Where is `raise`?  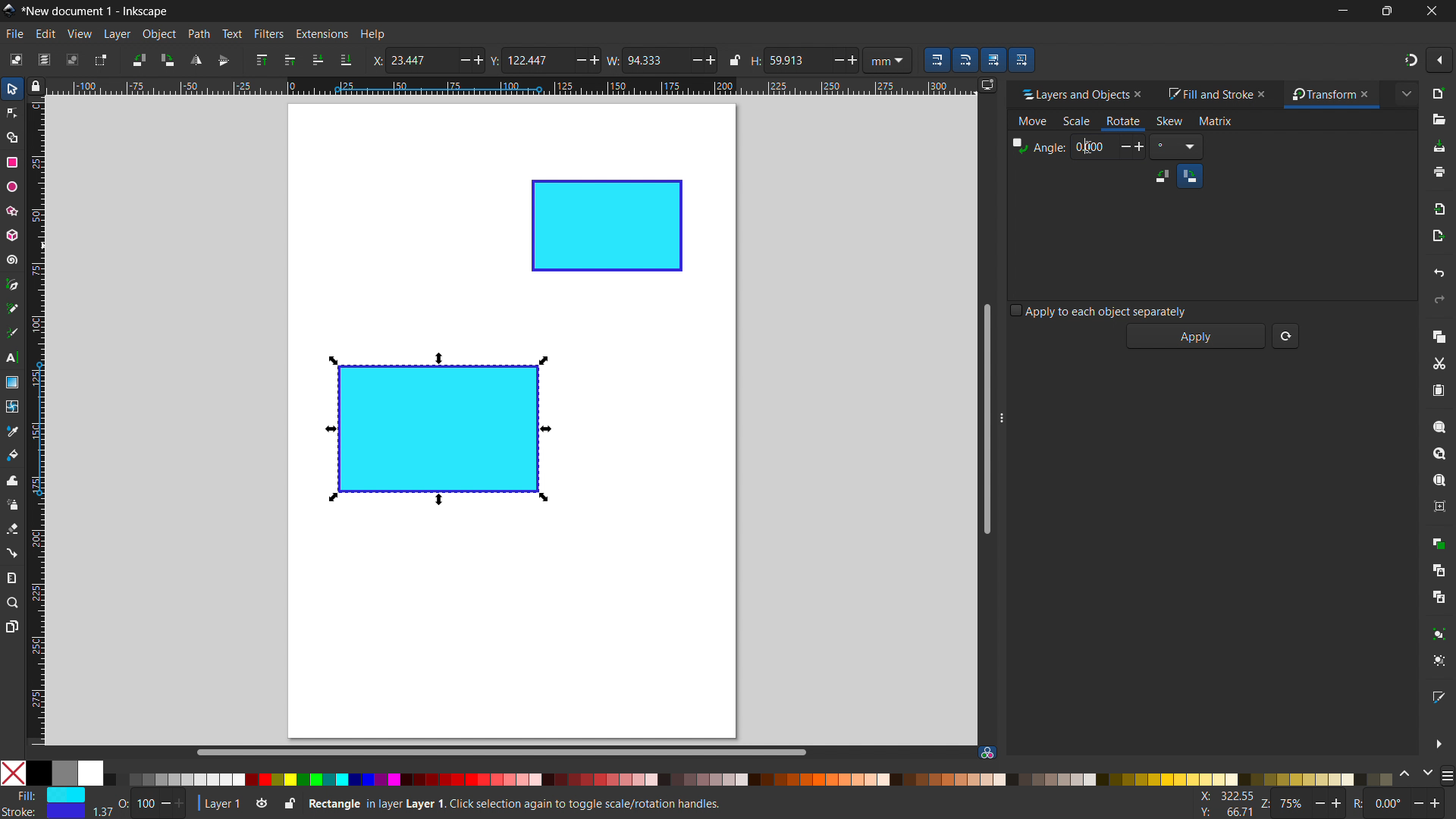 raise is located at coordinates (290, 60).